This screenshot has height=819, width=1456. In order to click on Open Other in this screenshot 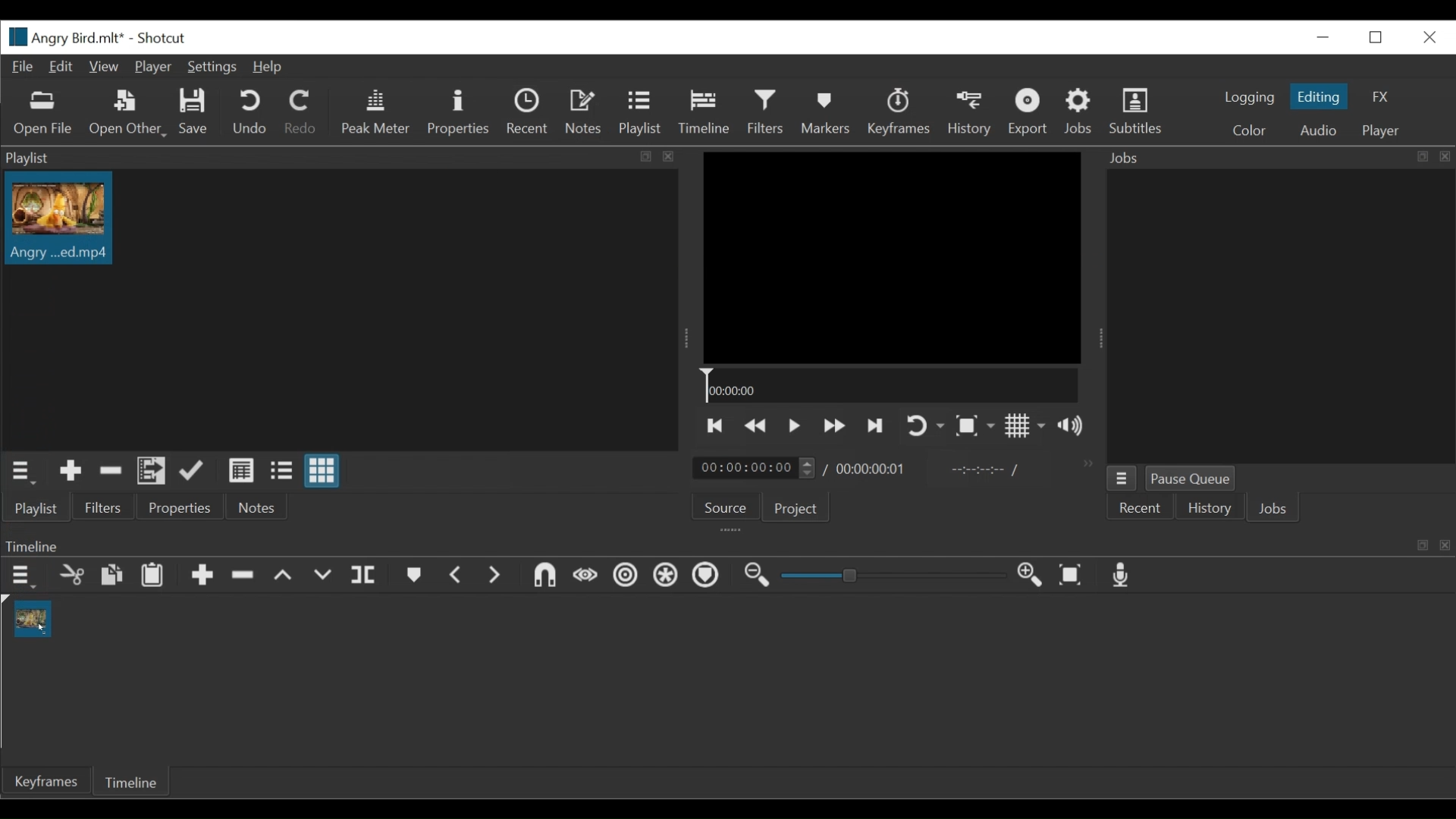, I will do `click(128, 115)`.